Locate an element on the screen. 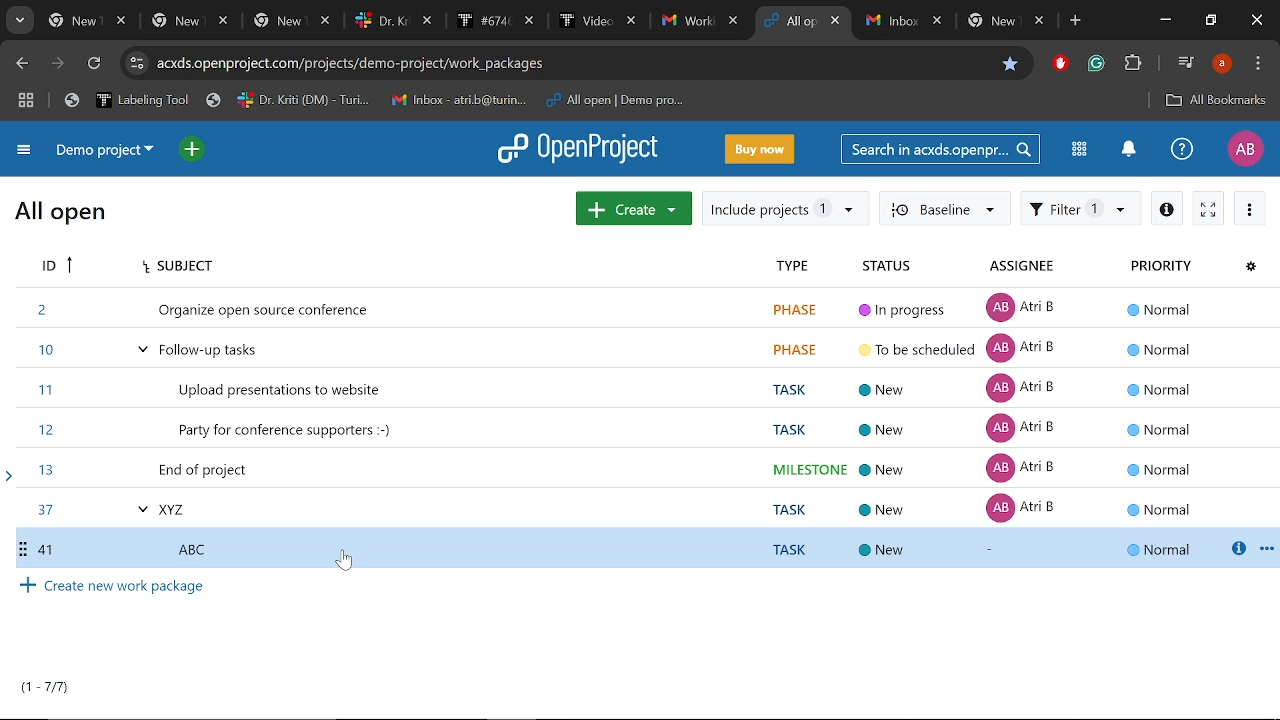 The image size is (1280, 720). Other tabs is located at coordinates (959, 21).